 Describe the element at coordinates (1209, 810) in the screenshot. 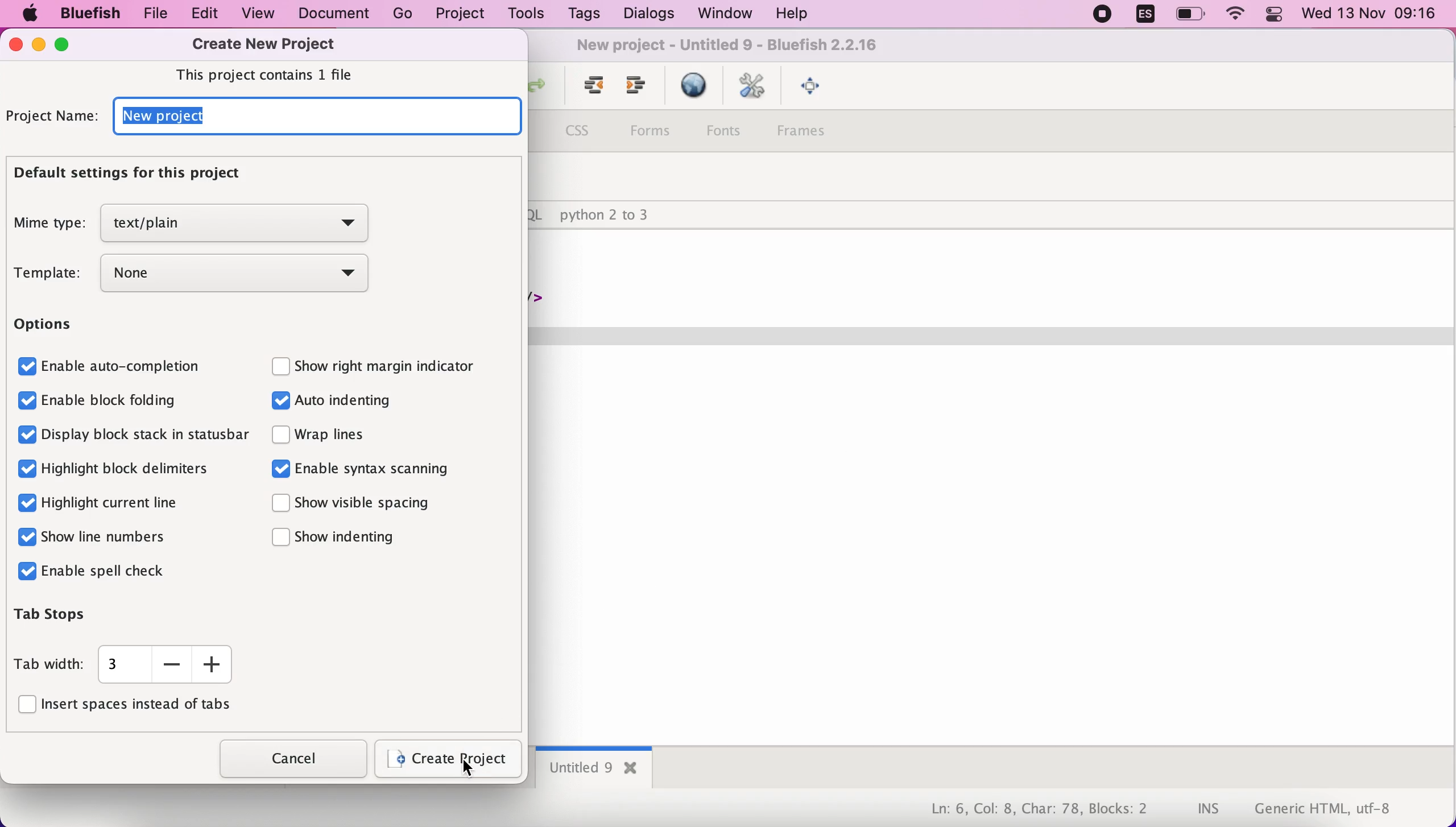

I see `ins` at that location.